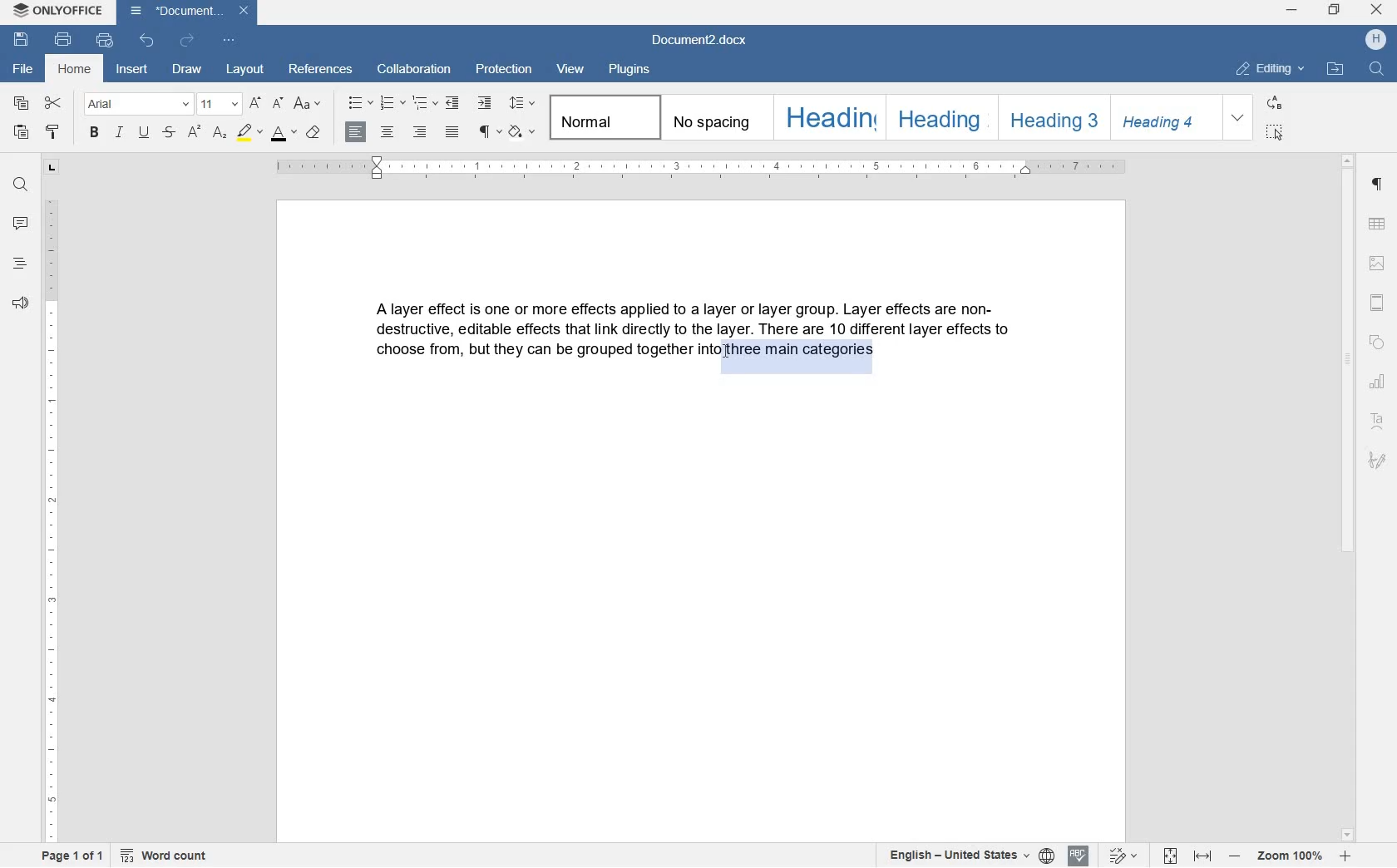 The width and height of the screenshot is (1397, 868). Describe the element at coordinates (21, 134) in the screenshot. I see `paste` at that location.